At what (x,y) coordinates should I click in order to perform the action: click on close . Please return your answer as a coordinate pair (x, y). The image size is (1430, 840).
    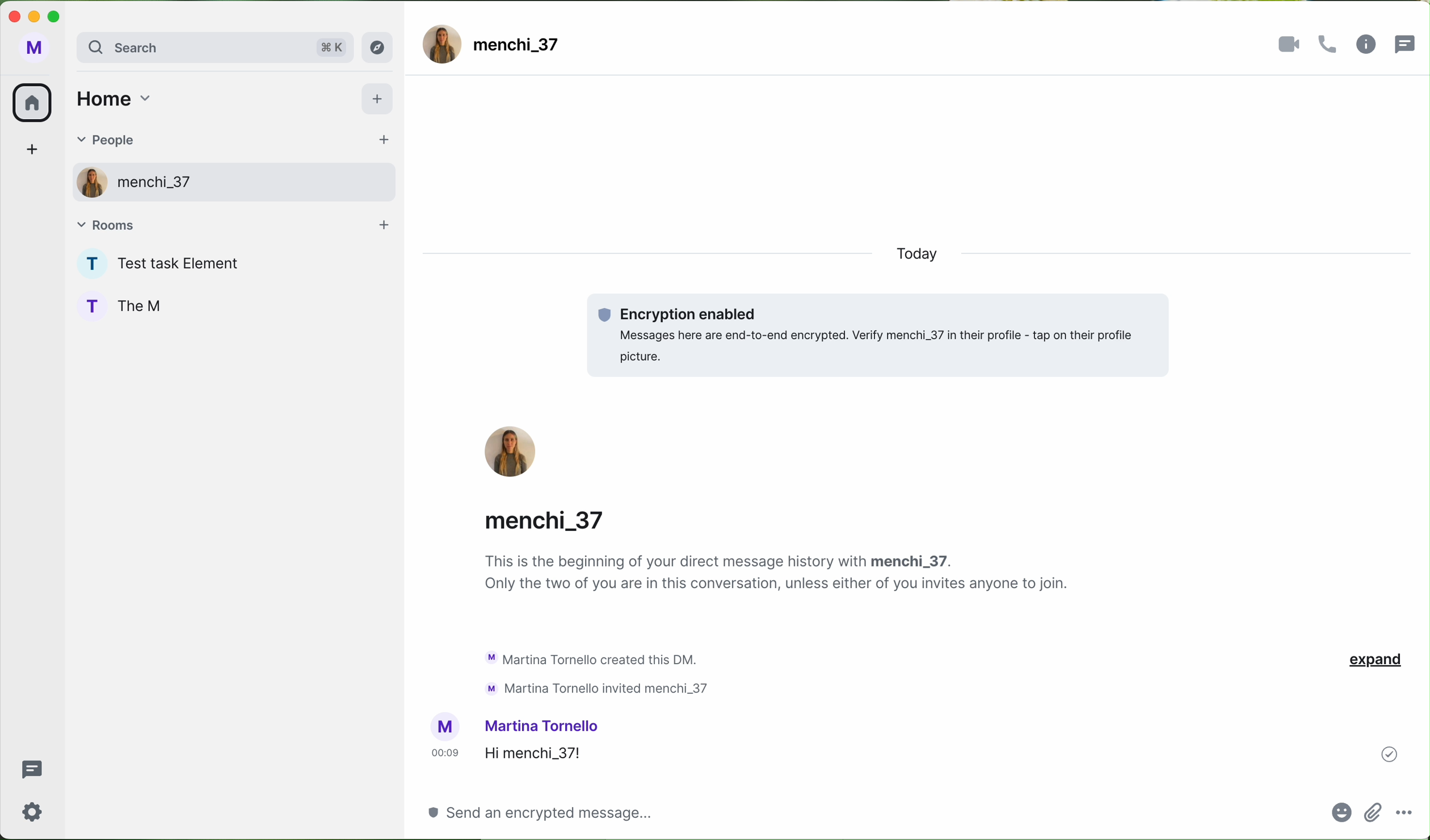
    Looking at the image, I should click on (12, 15).